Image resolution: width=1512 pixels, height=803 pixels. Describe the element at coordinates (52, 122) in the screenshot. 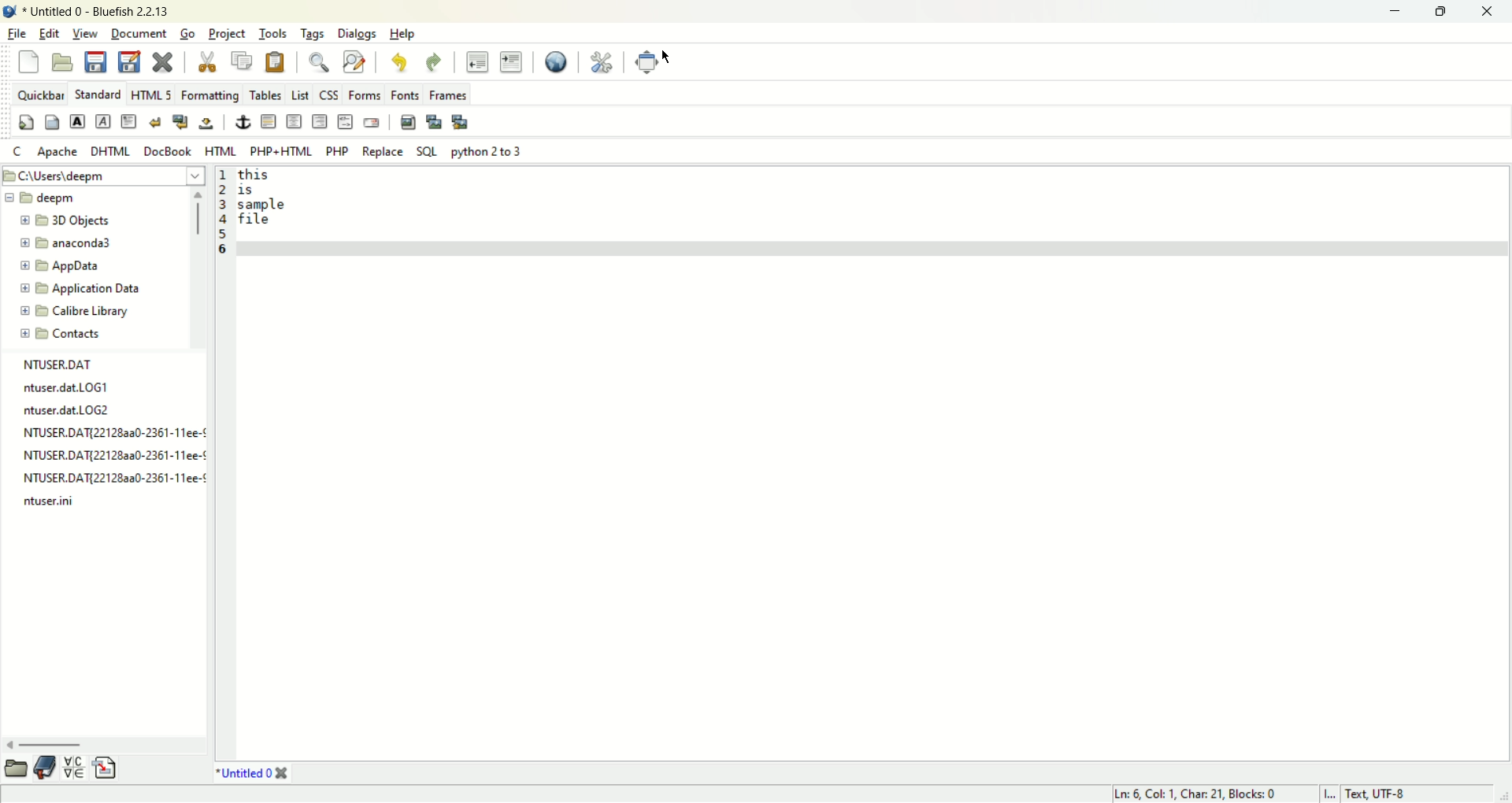

I see `body` at that location.